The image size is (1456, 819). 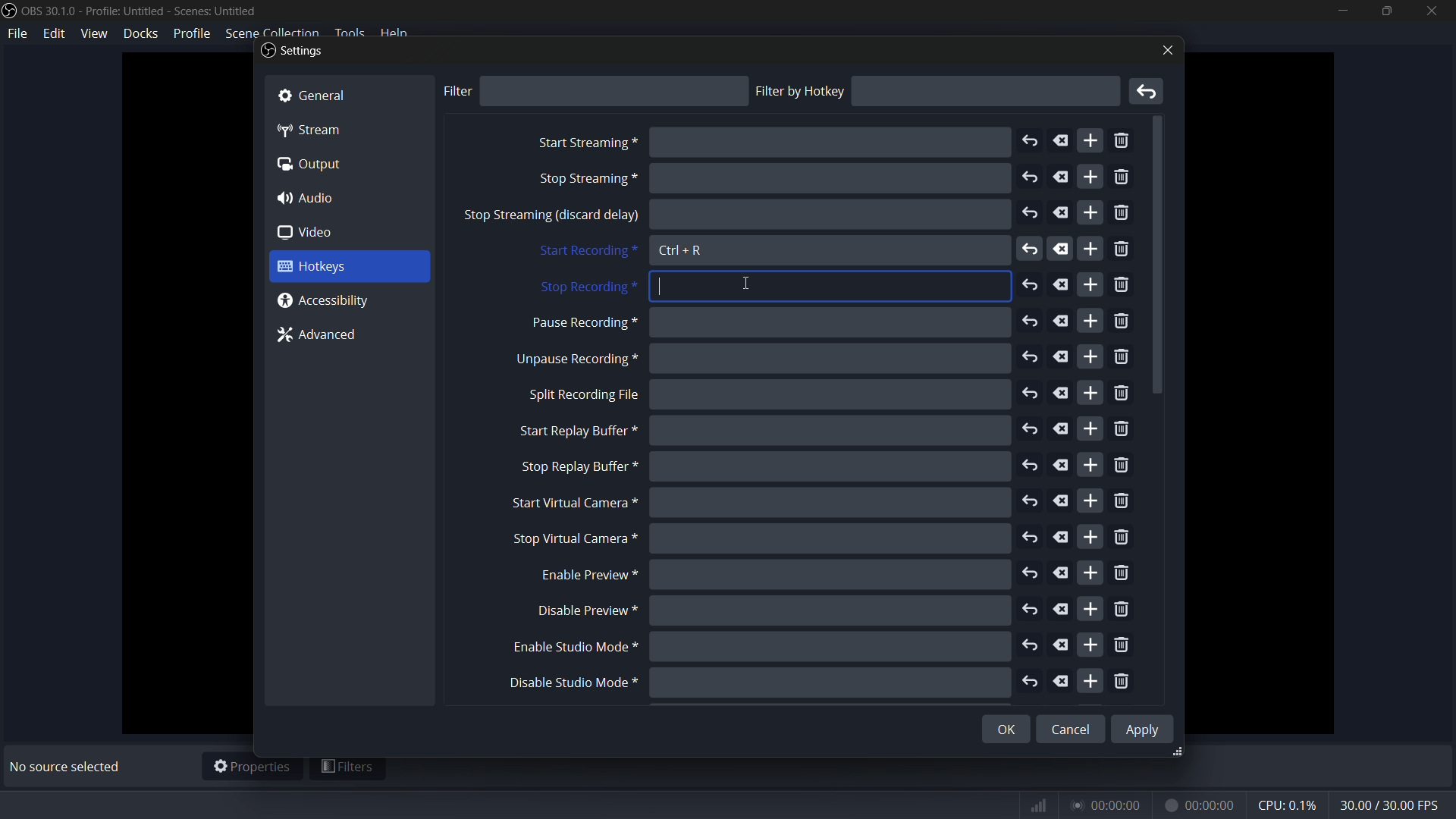 What do you see at coordinates (571, 431) in the screenshot?
I see `start replay buffer` at bounding box center [571, 431].